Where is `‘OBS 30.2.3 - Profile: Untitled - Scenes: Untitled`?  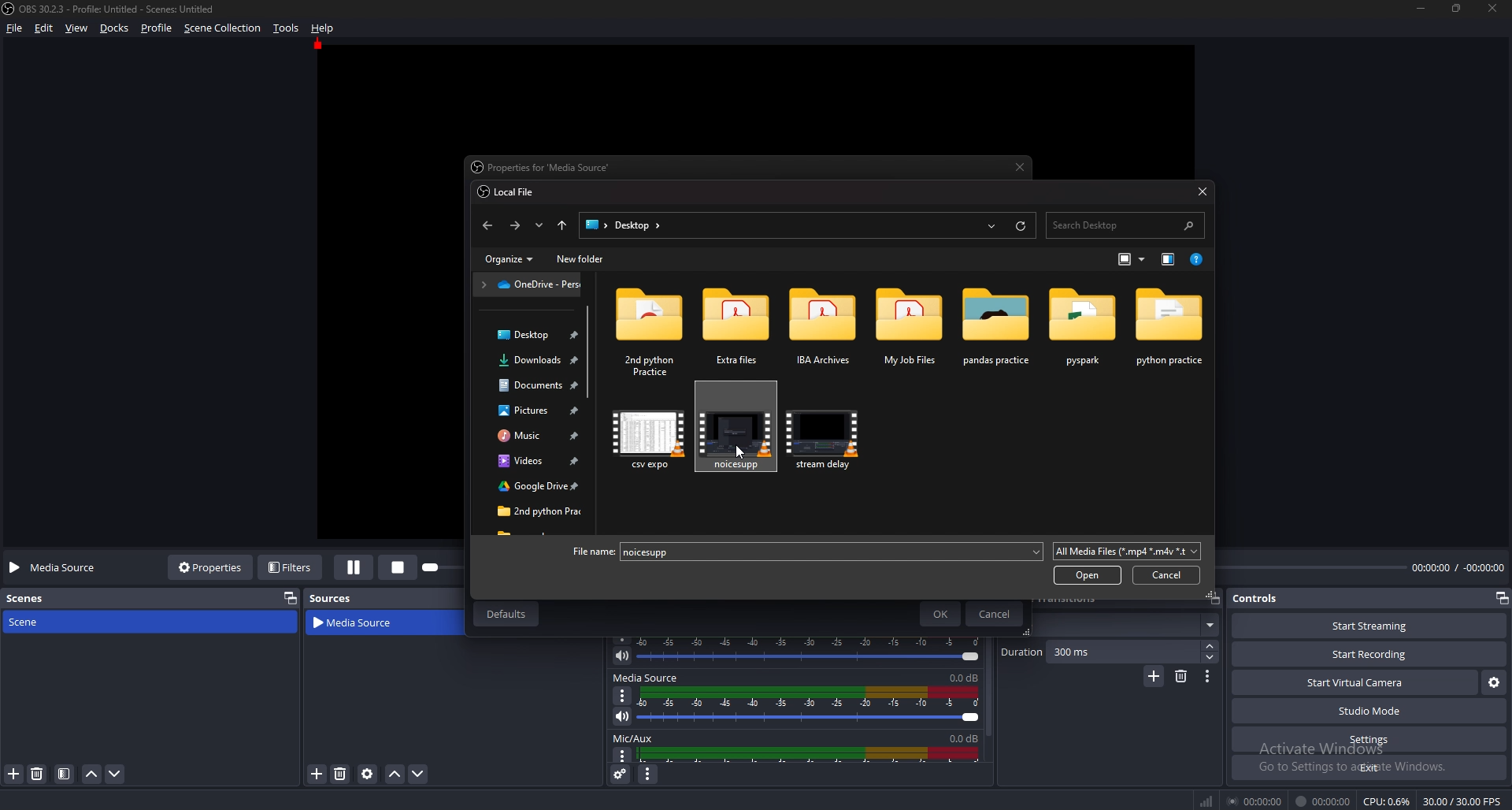 ‘OBS 30.2.3 - Profile: Untitled - Scenes: Untitled is located at coordinates (120, 9).